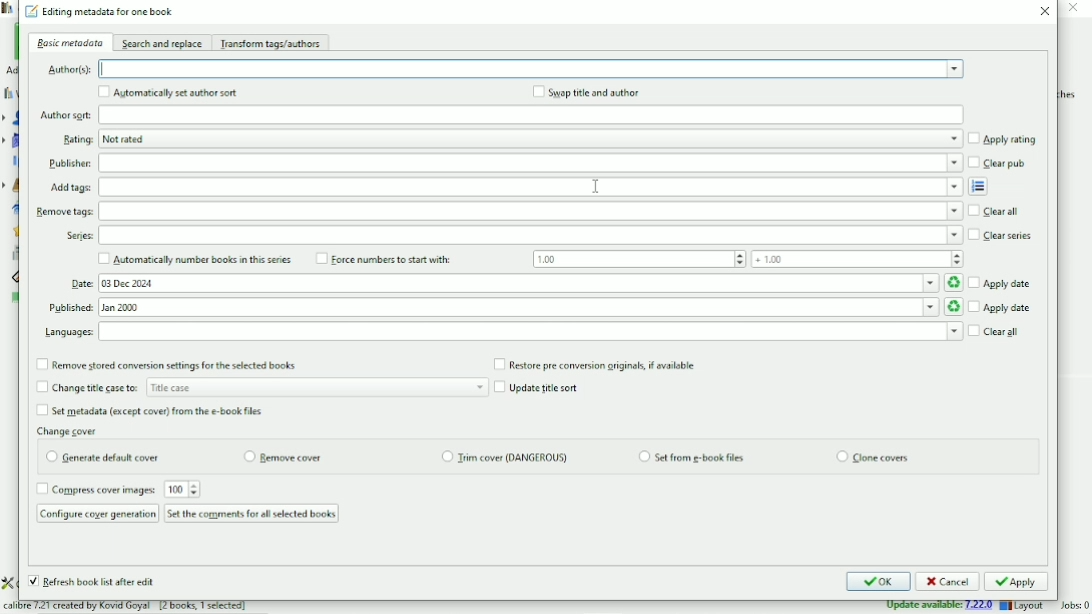 The width and height of the screenshot is (1092, 614). Describe the element at coordinates (598, 364) in the screenshot. I see `Restore per conversion originals, if available.` at that location.